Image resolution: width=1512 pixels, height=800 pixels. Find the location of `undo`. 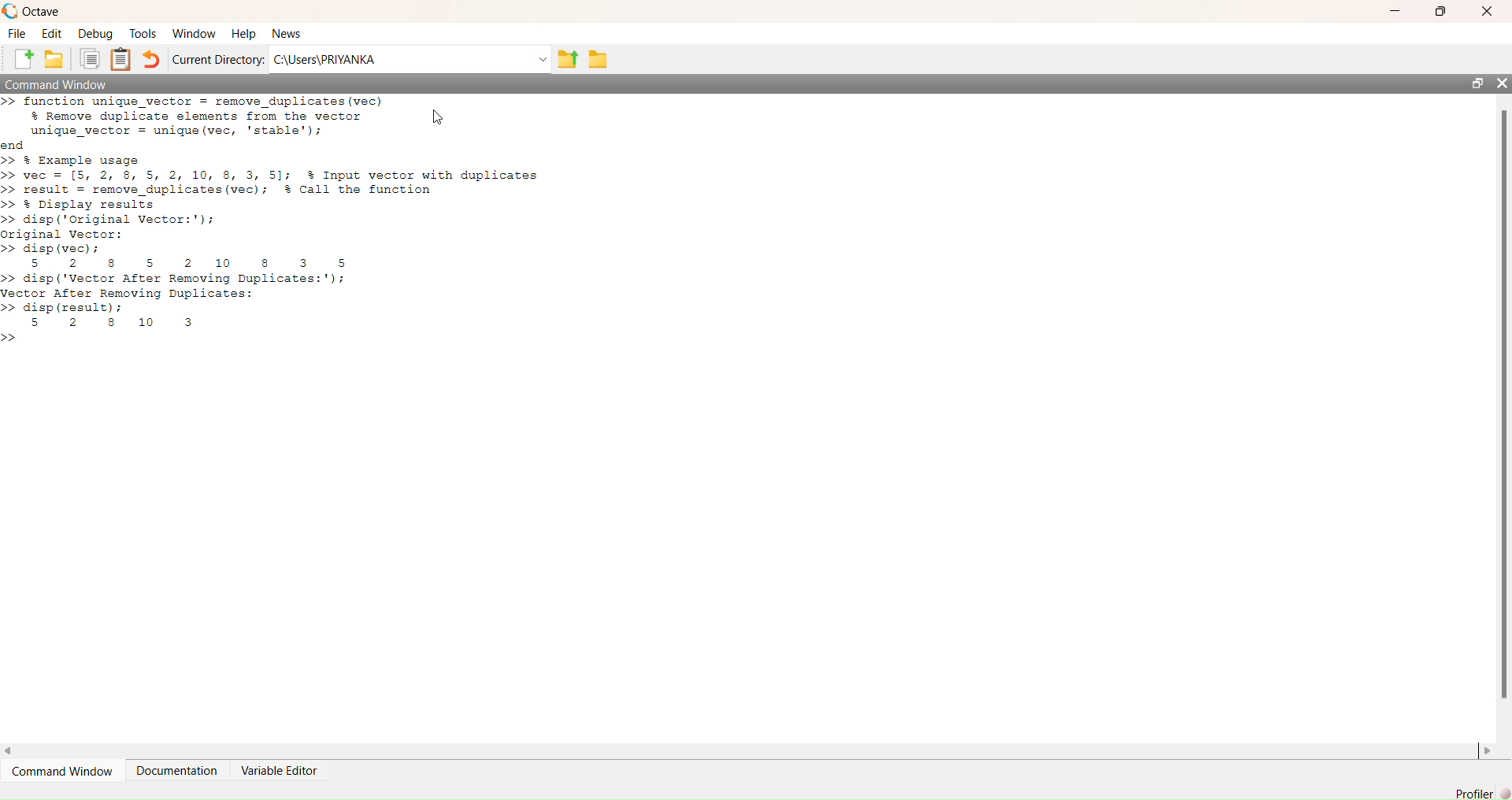

undo is located at coordinates (150, 59).